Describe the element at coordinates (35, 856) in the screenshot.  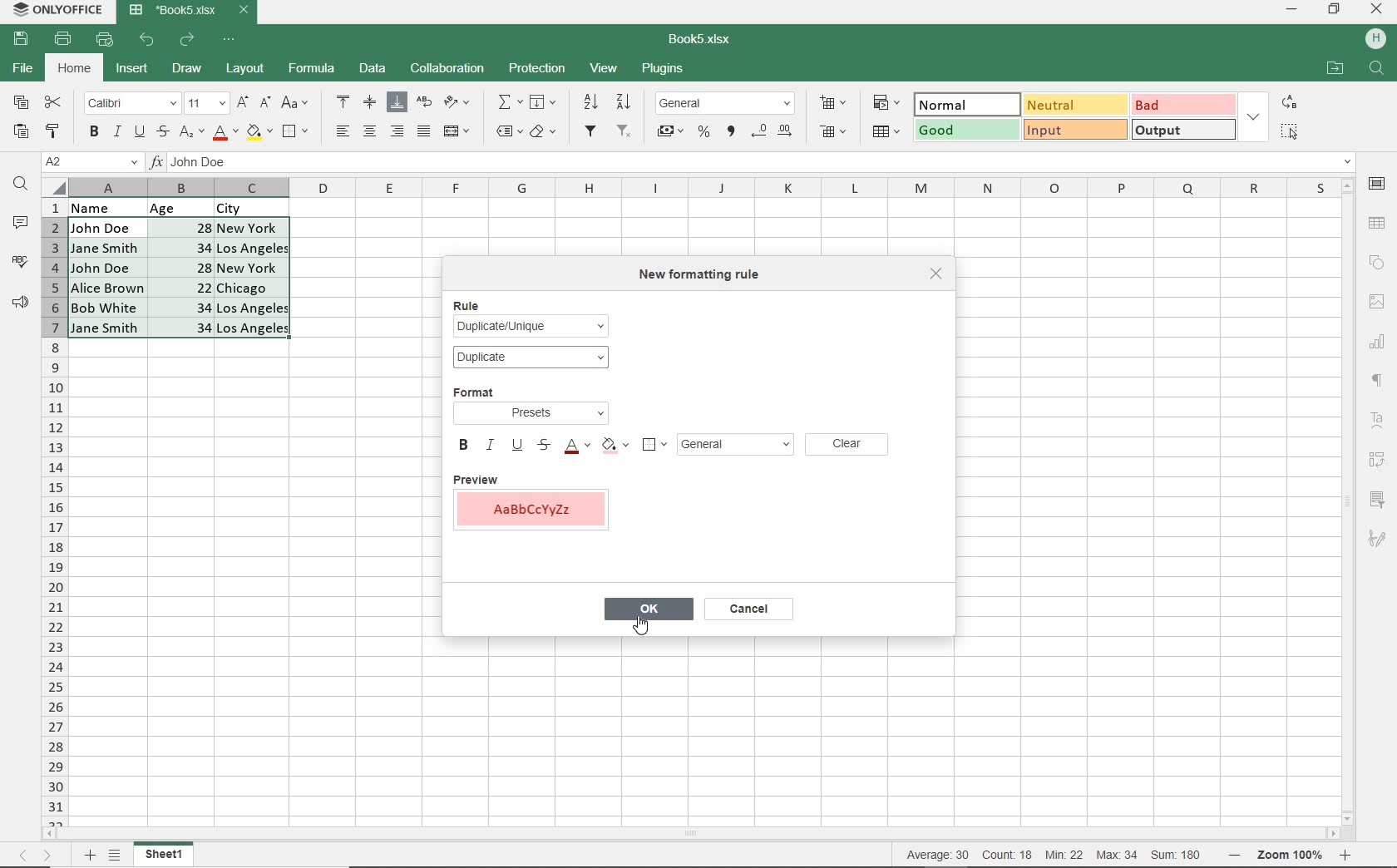
I see `MOVE SHEETS` at that location.